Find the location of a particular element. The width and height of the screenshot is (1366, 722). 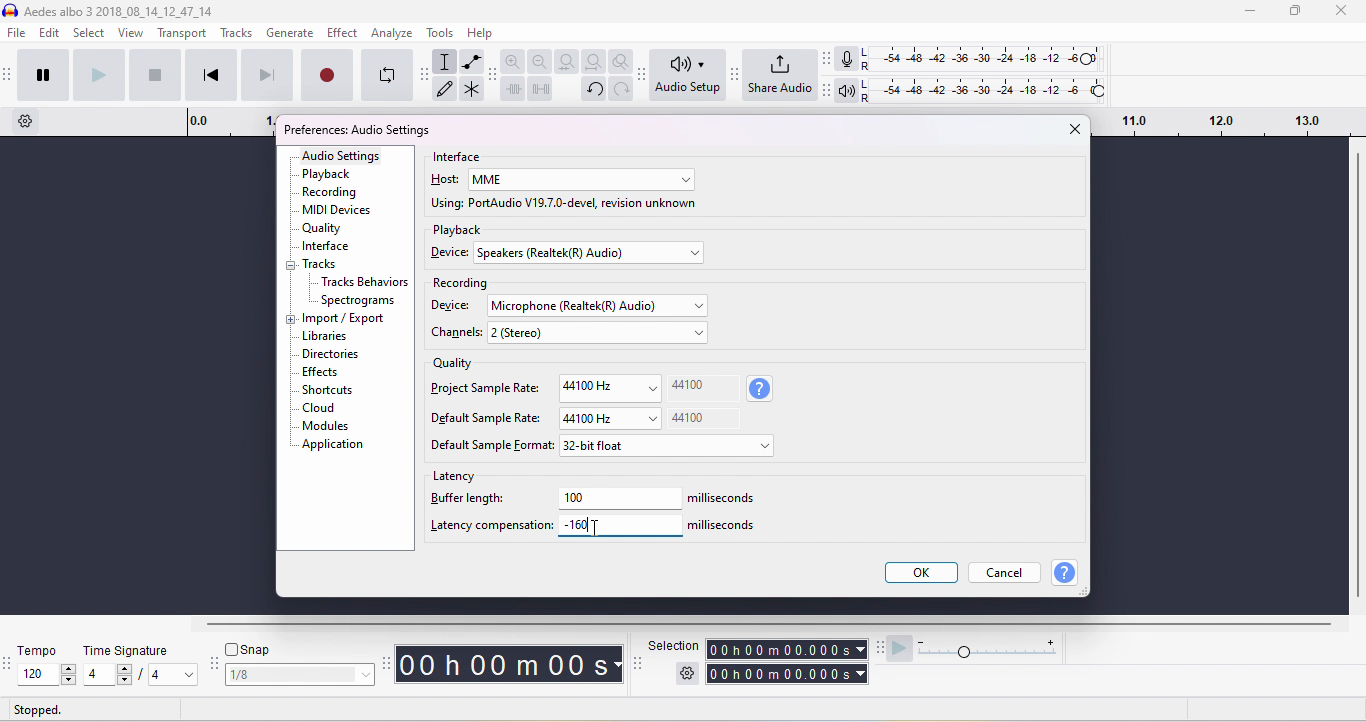

close is located at coordinates (1340, 12).